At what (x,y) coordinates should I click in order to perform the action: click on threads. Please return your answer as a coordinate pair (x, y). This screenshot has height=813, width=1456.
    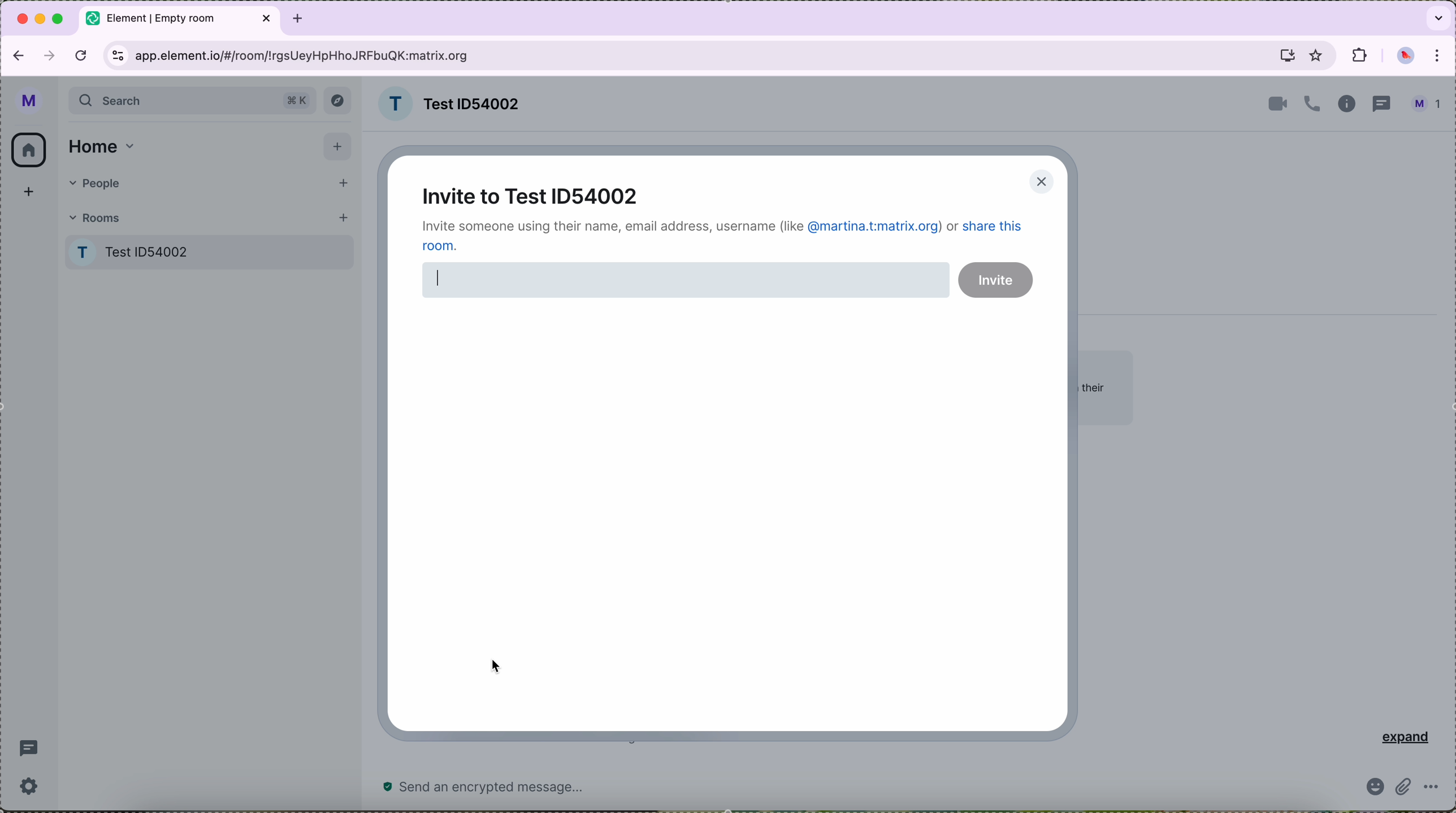
    Looking at the image, I should click on (32, 747).